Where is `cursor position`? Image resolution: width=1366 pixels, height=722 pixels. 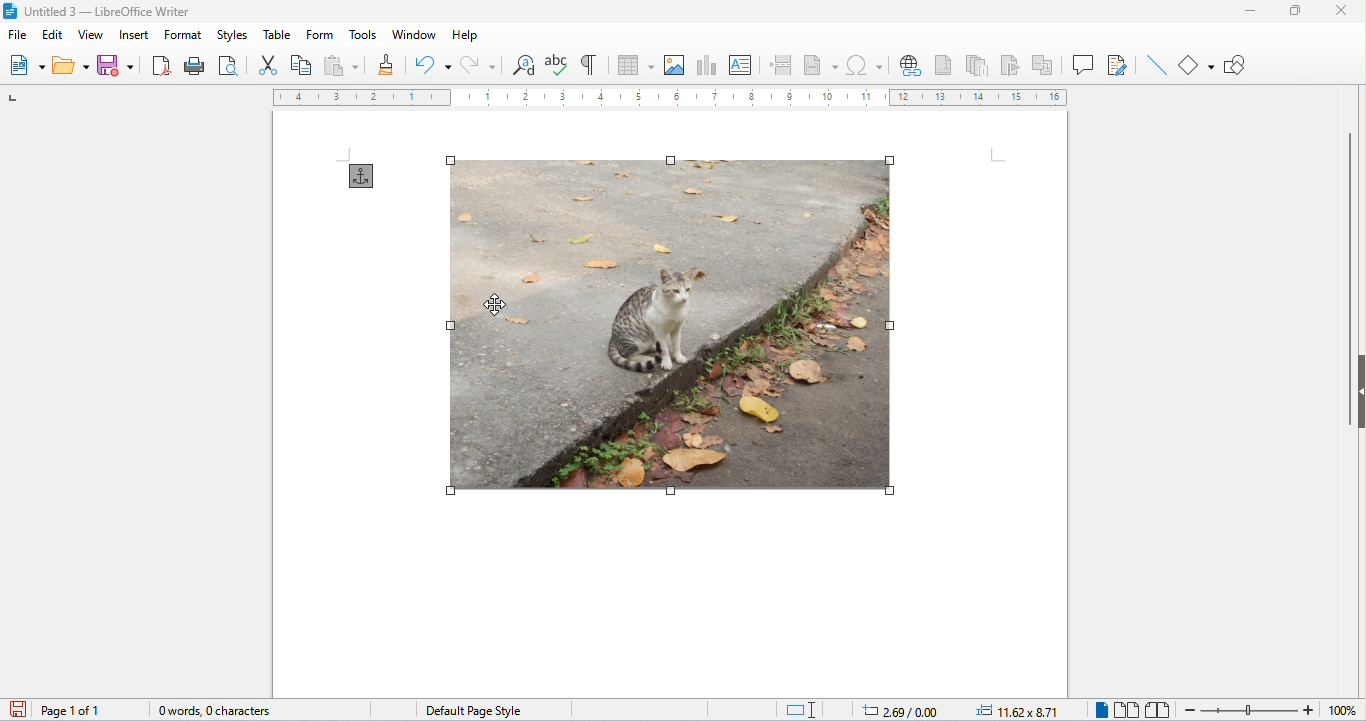 cursor position is located at coordinates (891, 709).